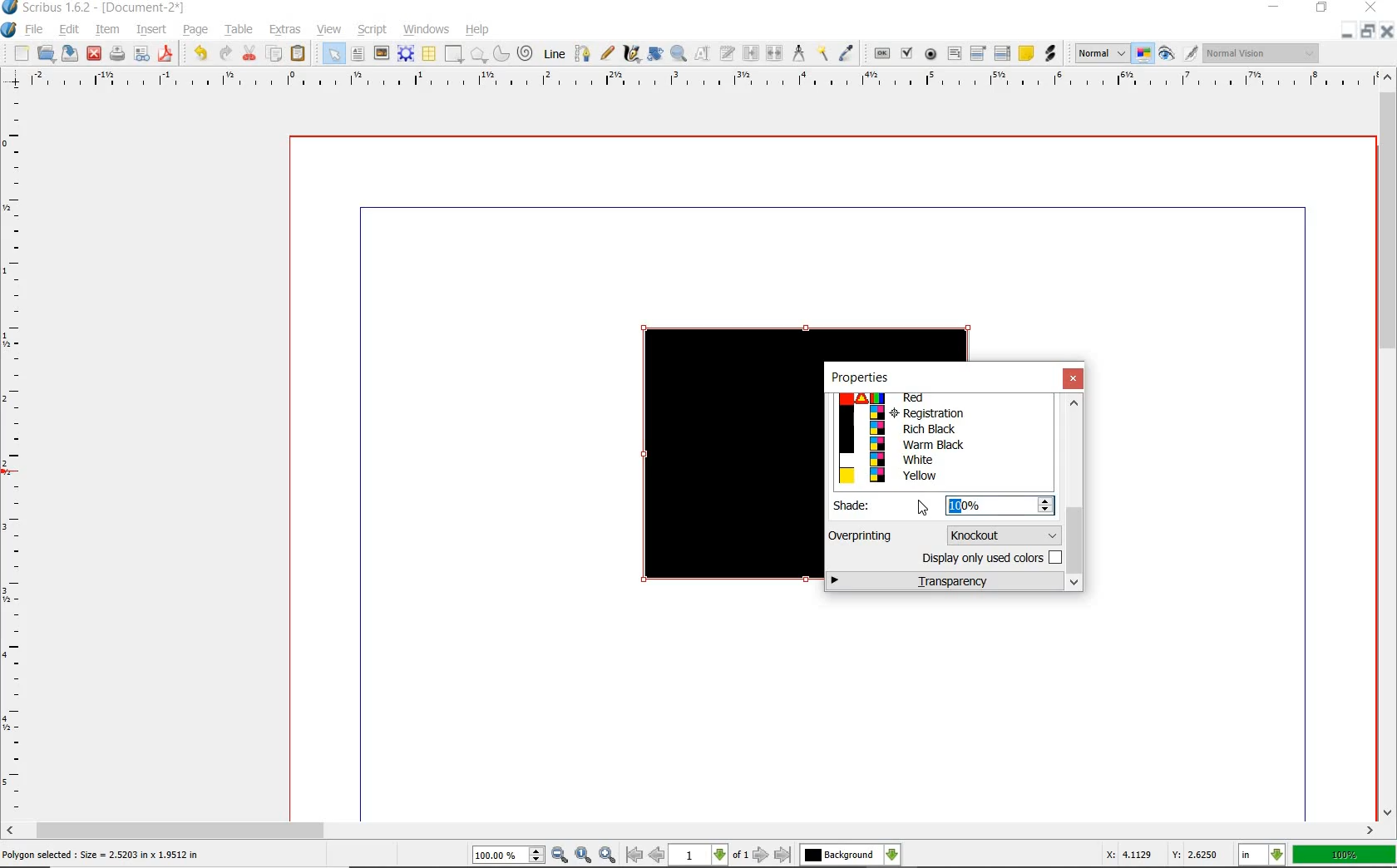  What do you see at coordinates (404, 53) in the screenshot?
I see `render frame` at bounding box center [404, 53].